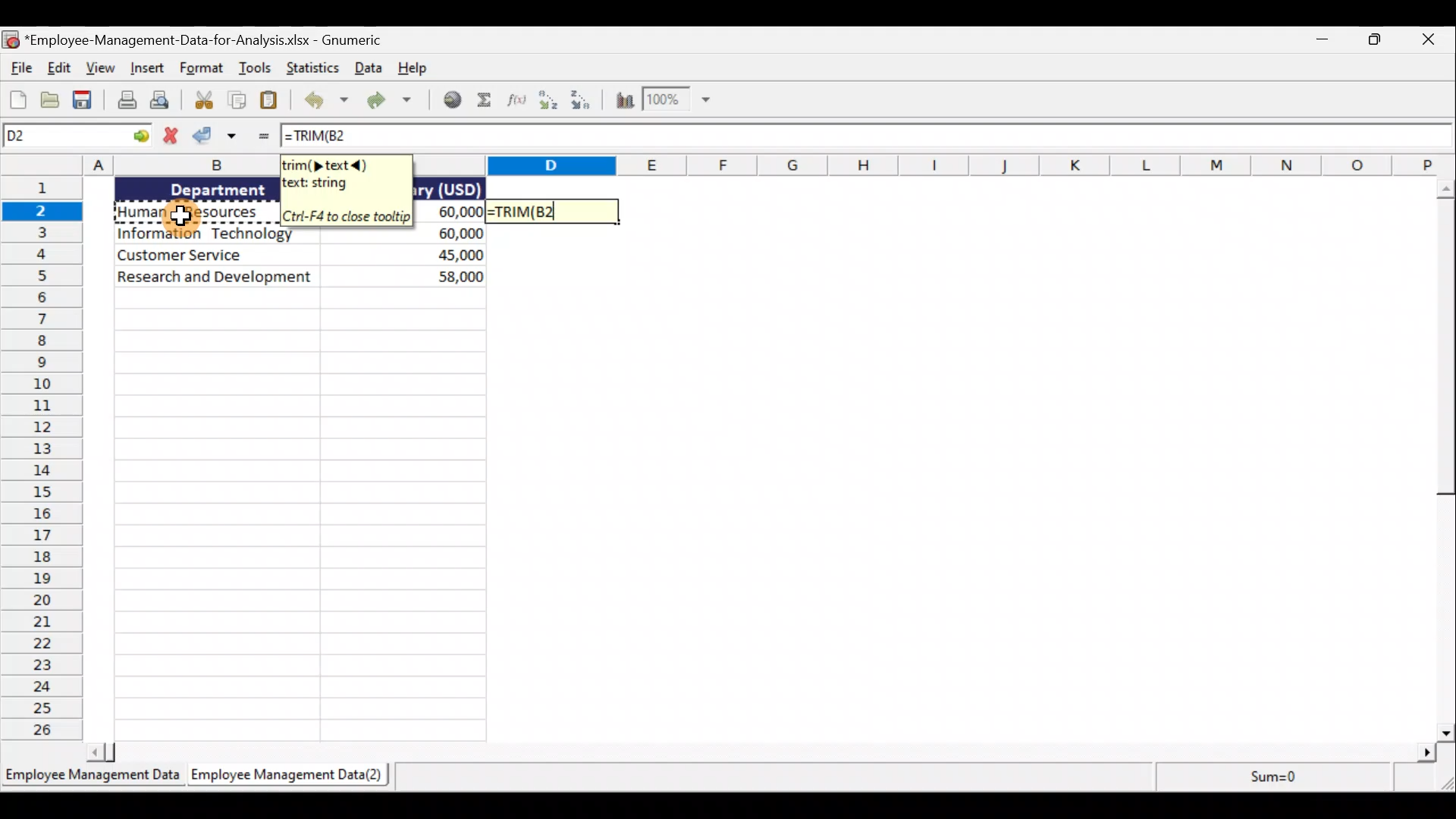 The image size is (1456, 819). I want to click on scroll bar, so click(1443, 461).